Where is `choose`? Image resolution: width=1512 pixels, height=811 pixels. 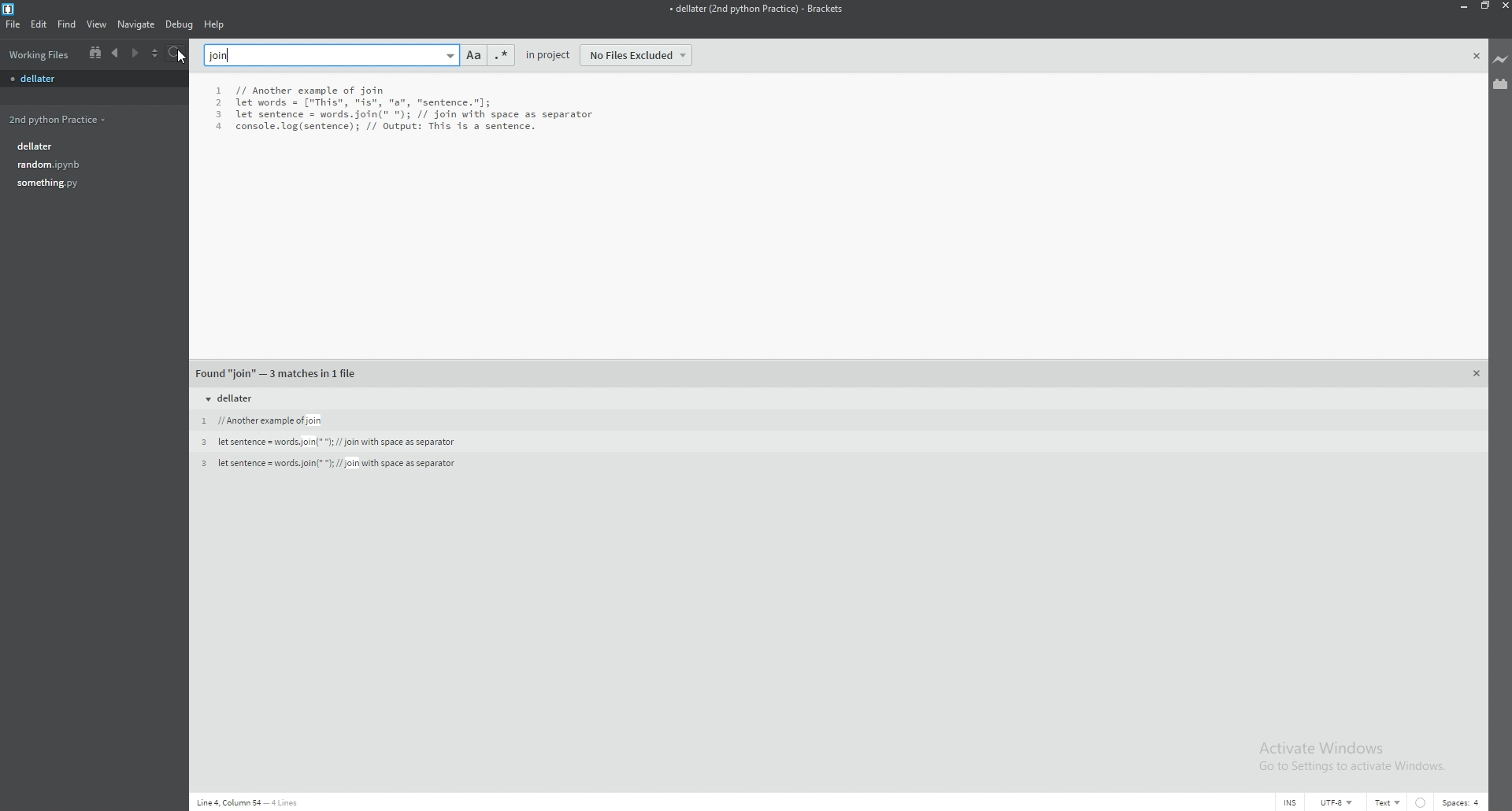 choose is located at coordinates (159, 54).